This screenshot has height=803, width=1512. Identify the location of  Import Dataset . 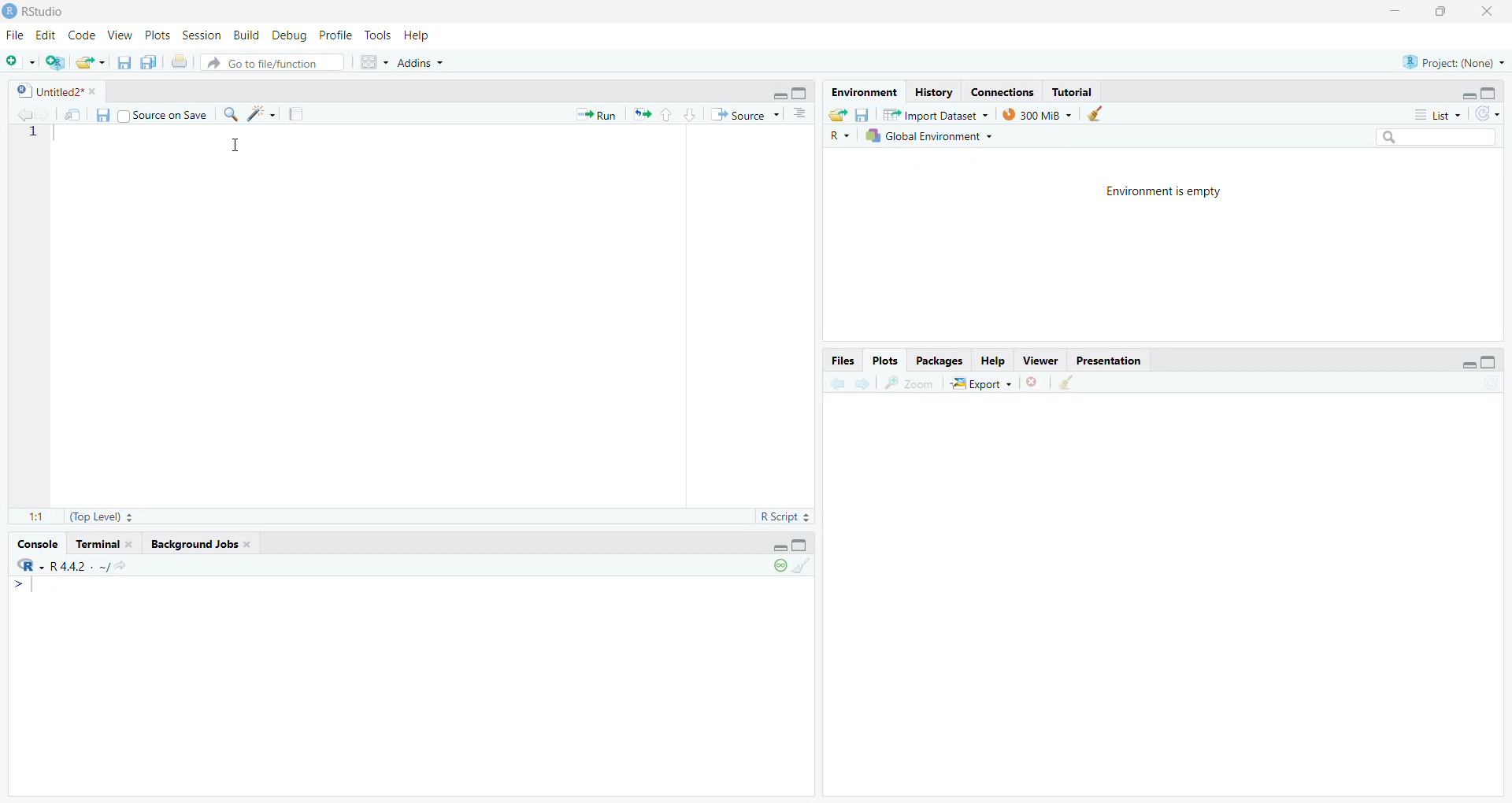
(937, 115).